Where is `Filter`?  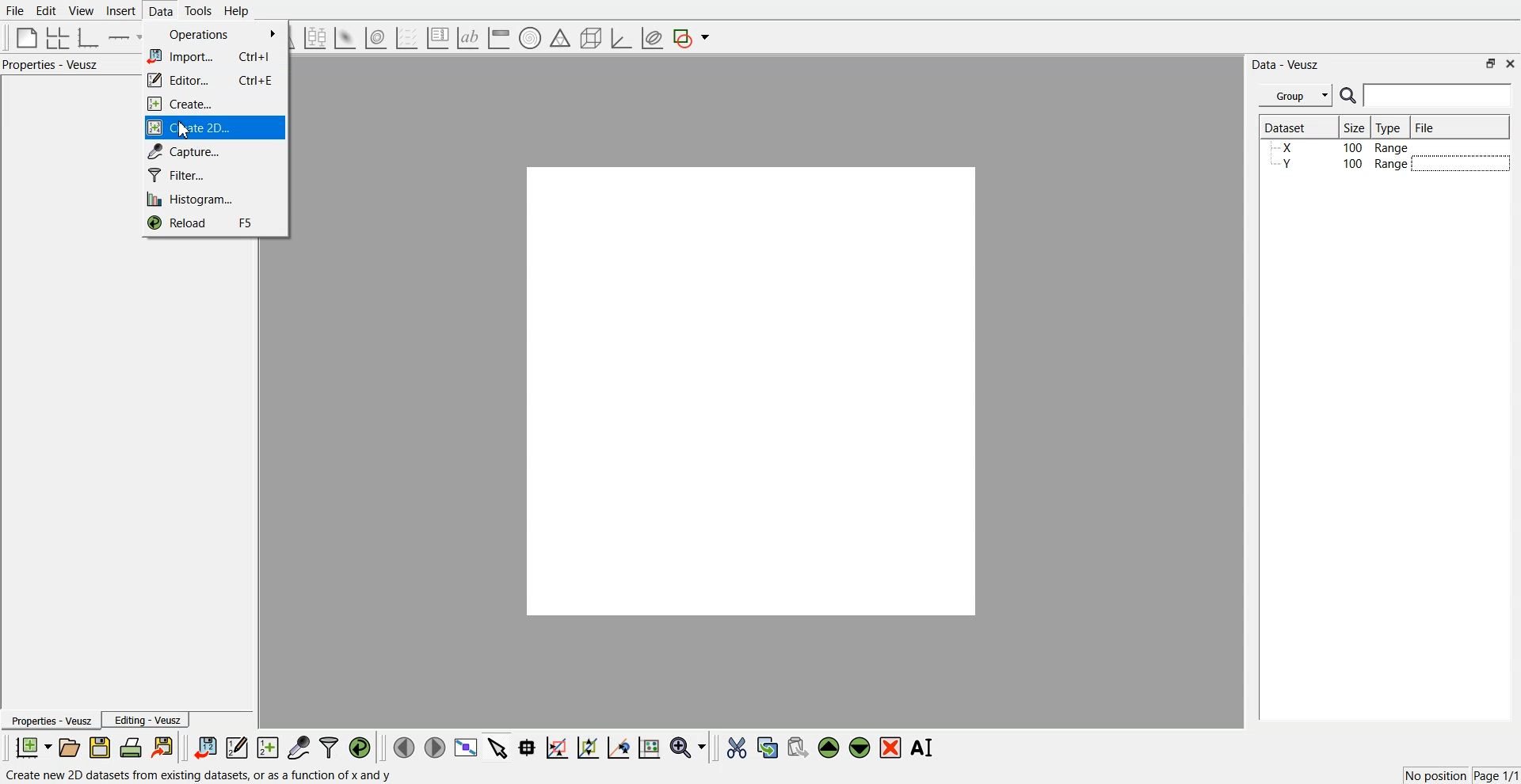
Filter is located at coordinates (214, 174).